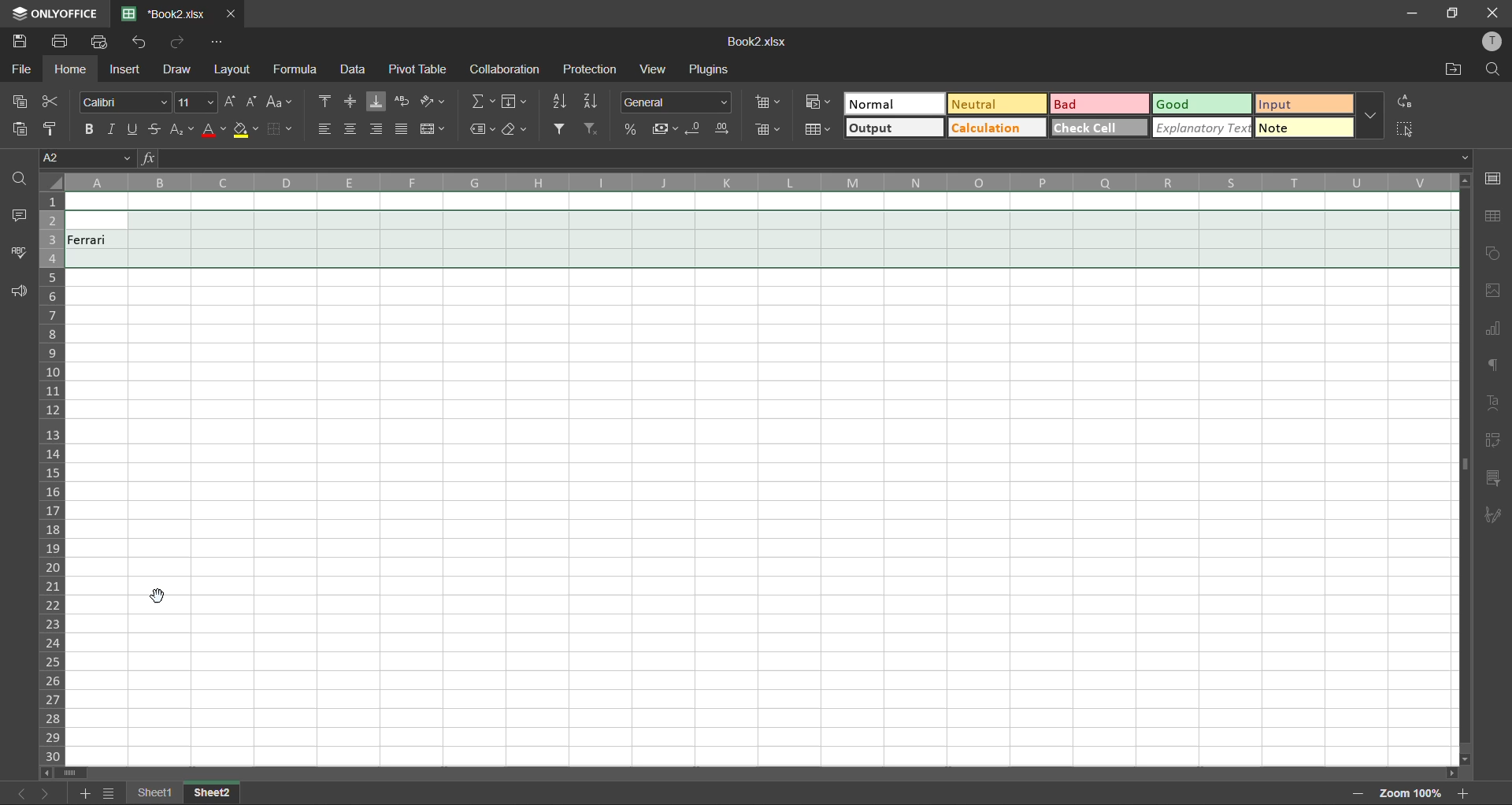 This screenshot has height=805, width=1512. What do you see at coordinates (652, 69) in the screenshot?
I see `view` at bounding box center [652, 69].